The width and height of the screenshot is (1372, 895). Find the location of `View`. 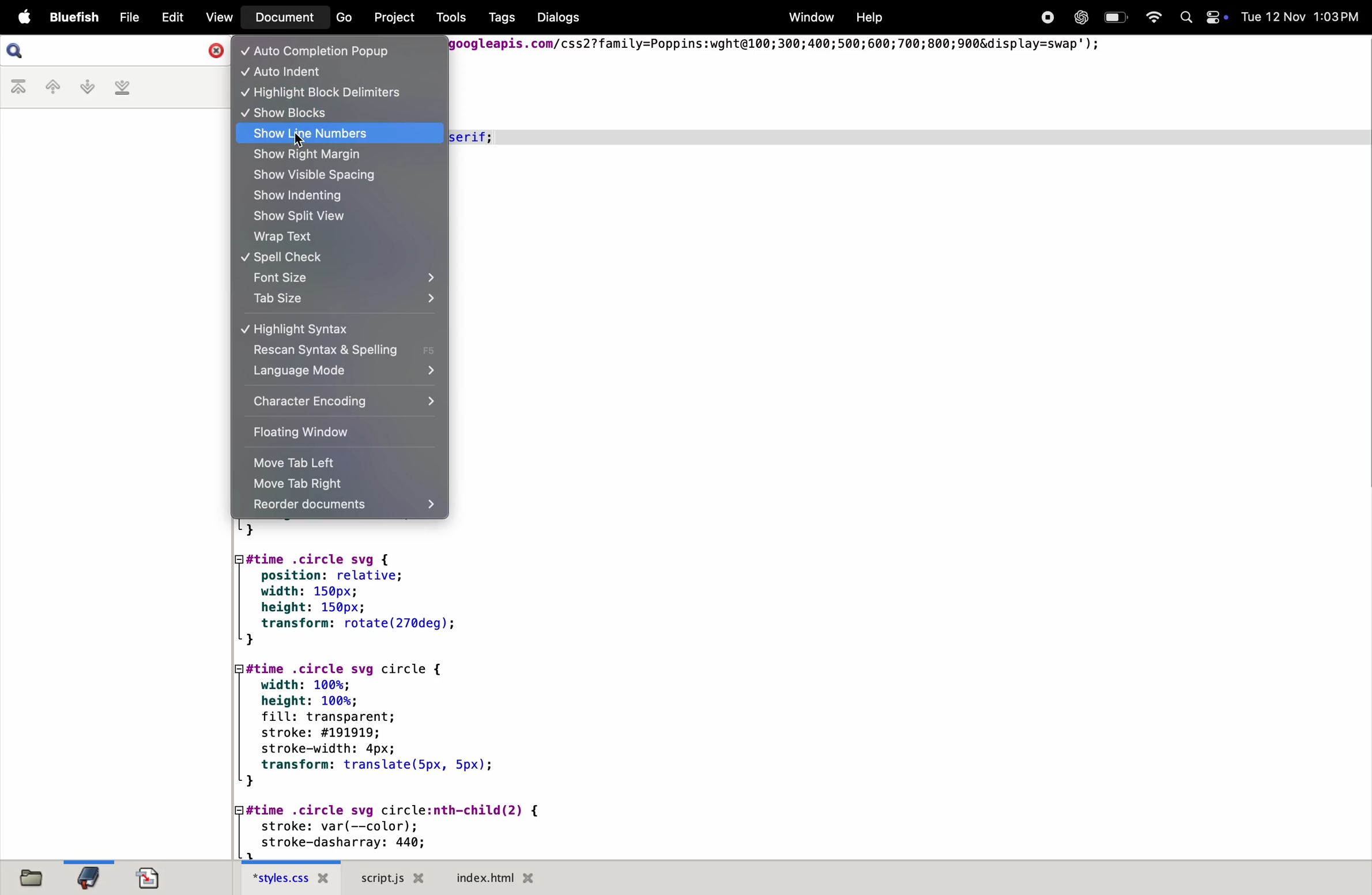

View is located at coordinates (216, 17).